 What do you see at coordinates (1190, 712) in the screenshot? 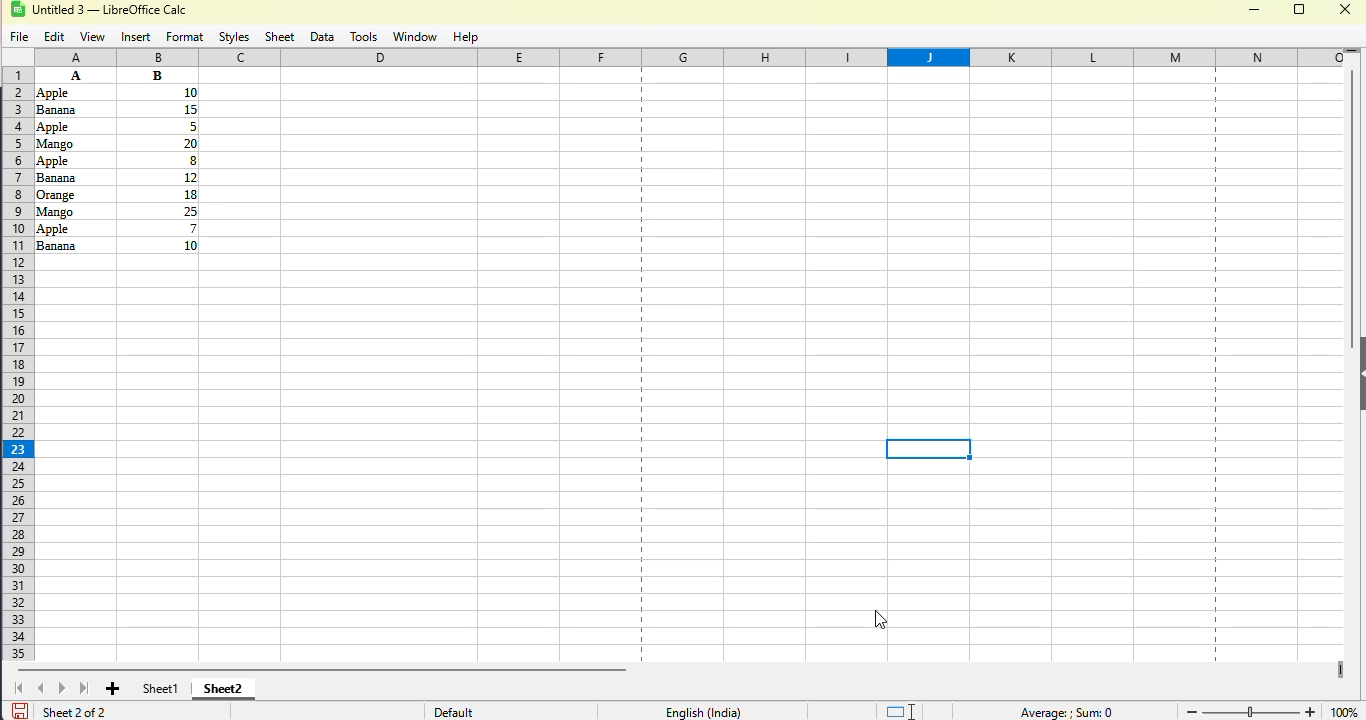
I see `zoom out` at bounding box center [1190, 712].